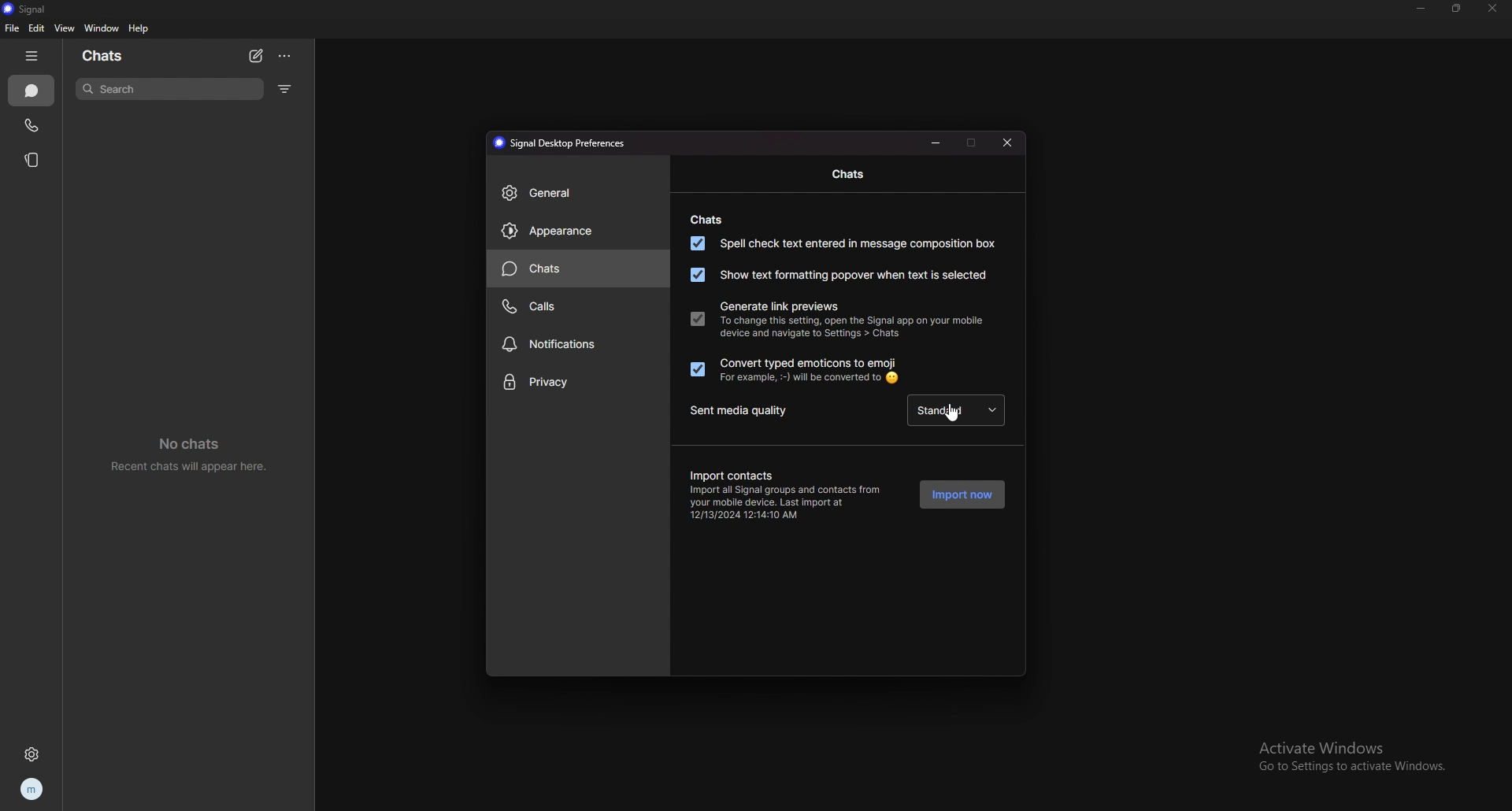 The image size is (1512, 811). What do you see at coordinates (12, 28) in the screenshot?
I see `file` at bounding box center [12, 28].